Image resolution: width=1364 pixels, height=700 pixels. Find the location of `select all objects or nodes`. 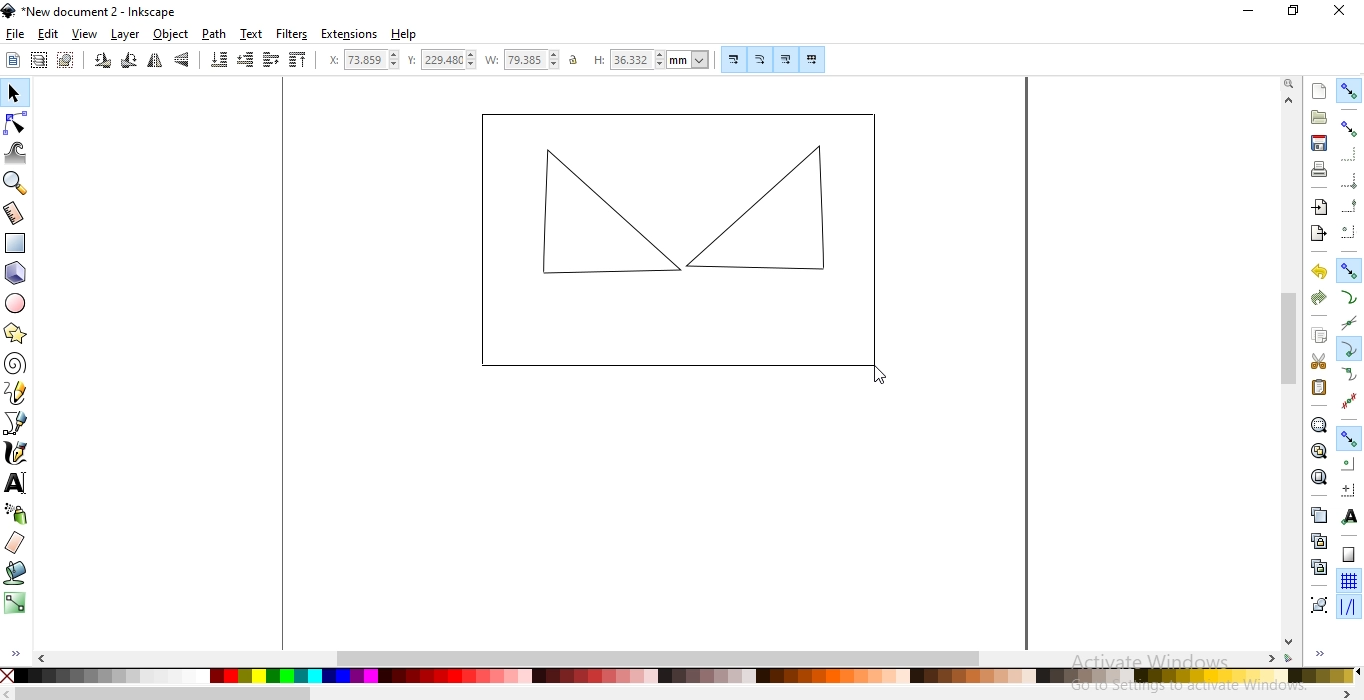

select all objects or nodes is located at coordinates (12, 60).